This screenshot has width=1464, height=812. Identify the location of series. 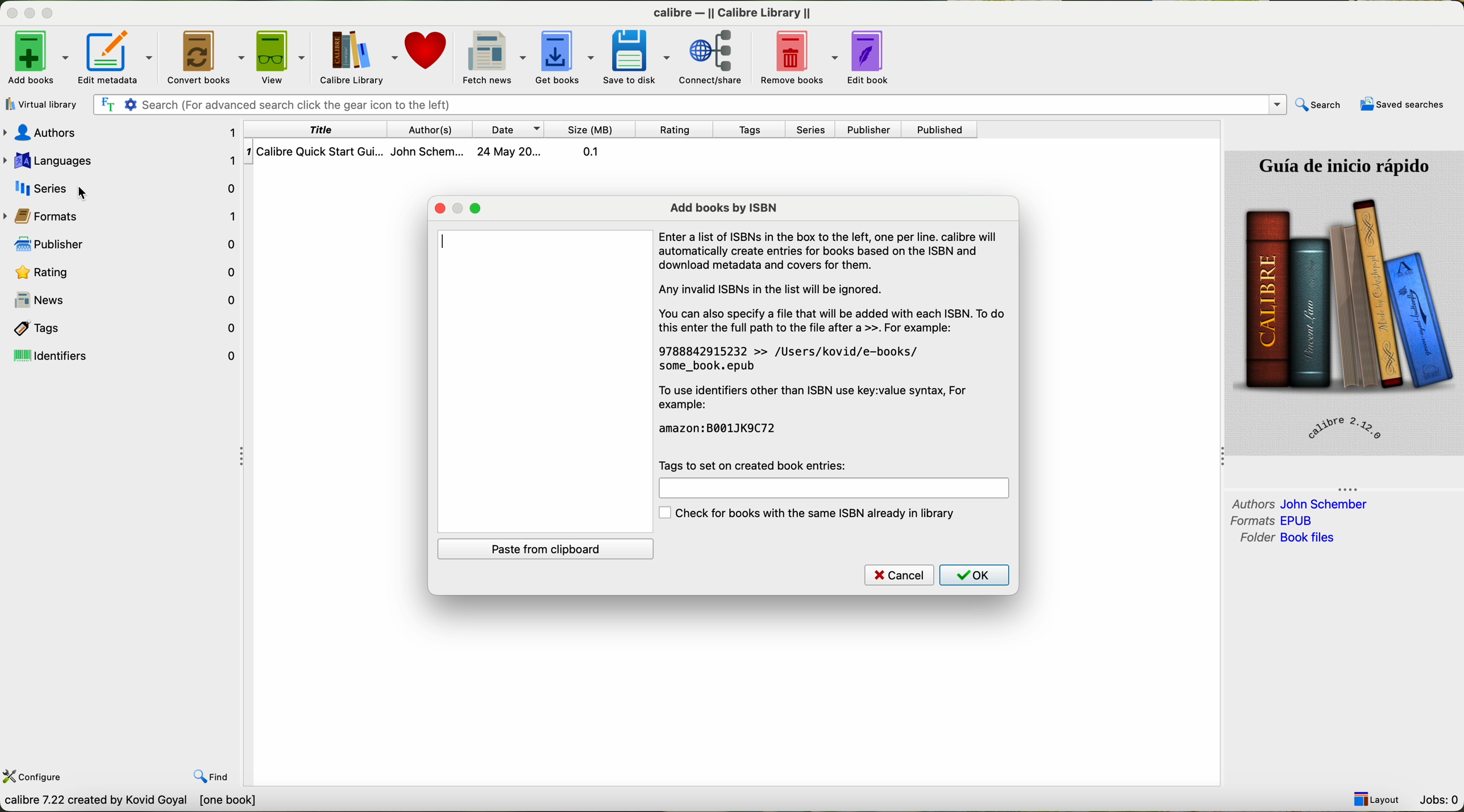
(123, 188).